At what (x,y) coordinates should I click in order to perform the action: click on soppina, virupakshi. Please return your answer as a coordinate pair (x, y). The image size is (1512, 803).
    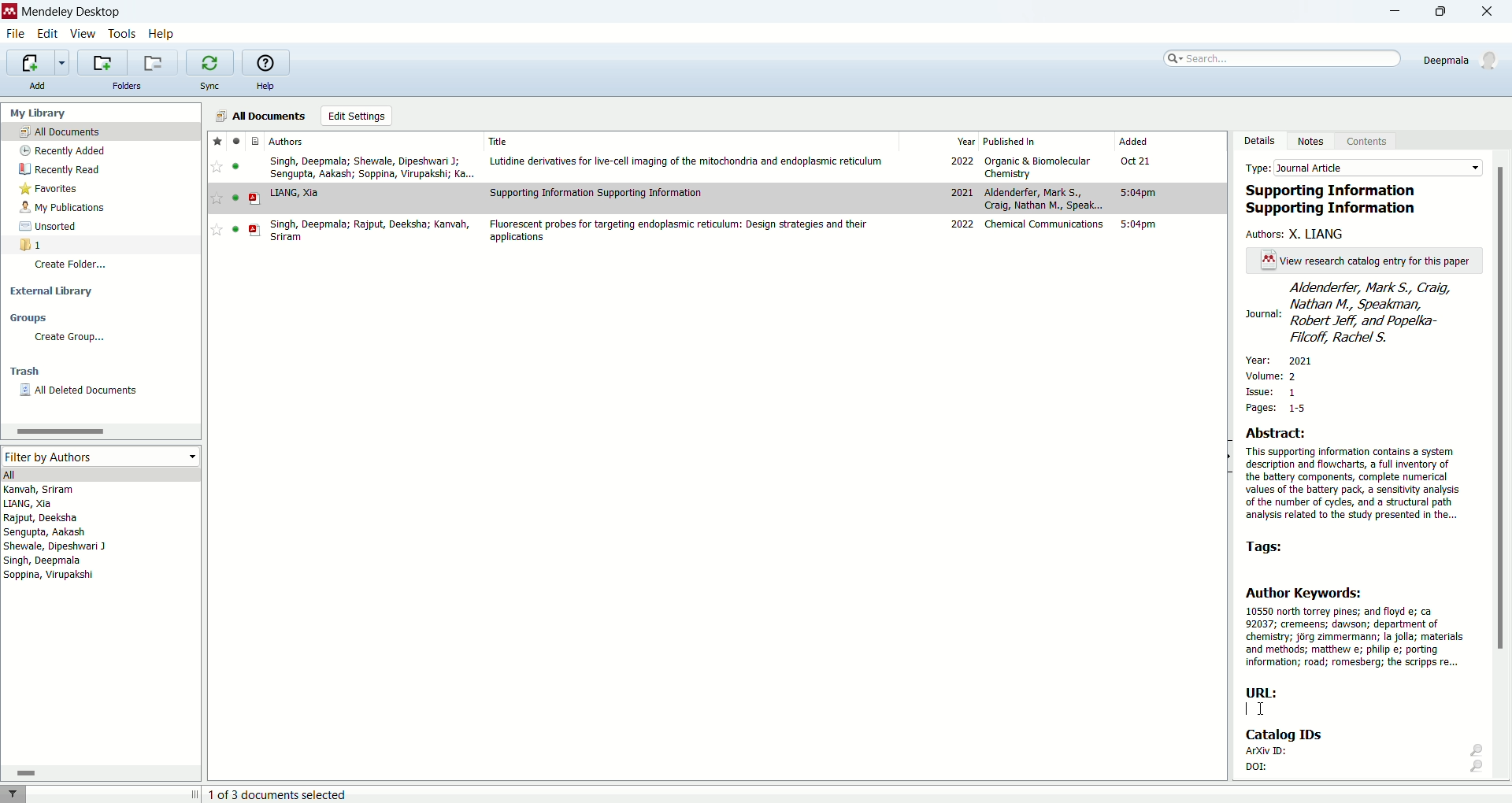
    Looking at the image, I should click on (50, 574).